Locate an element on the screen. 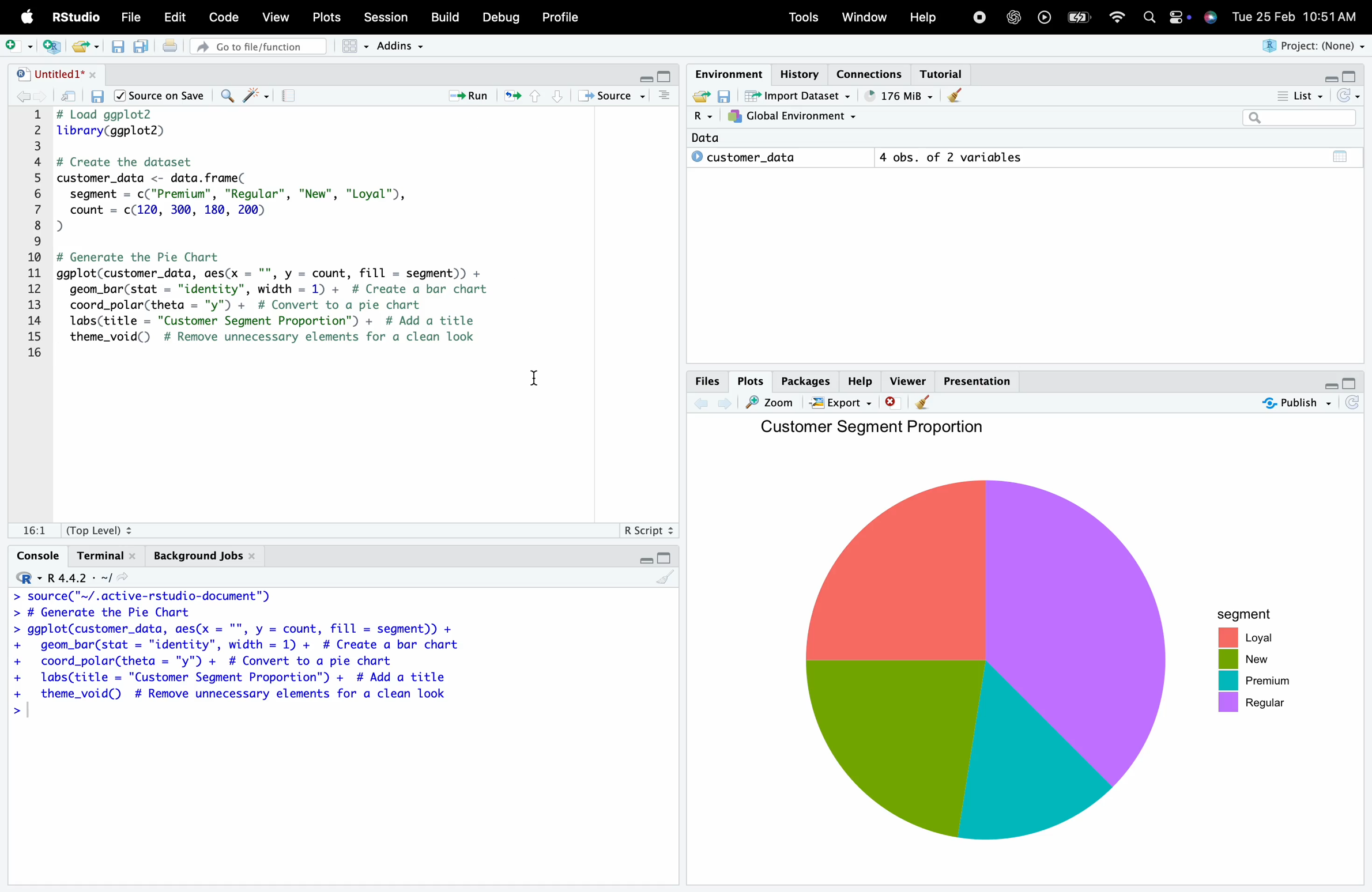 The image size is (1372, 892). R.4.4.2  is located at coordinates (69, 574).